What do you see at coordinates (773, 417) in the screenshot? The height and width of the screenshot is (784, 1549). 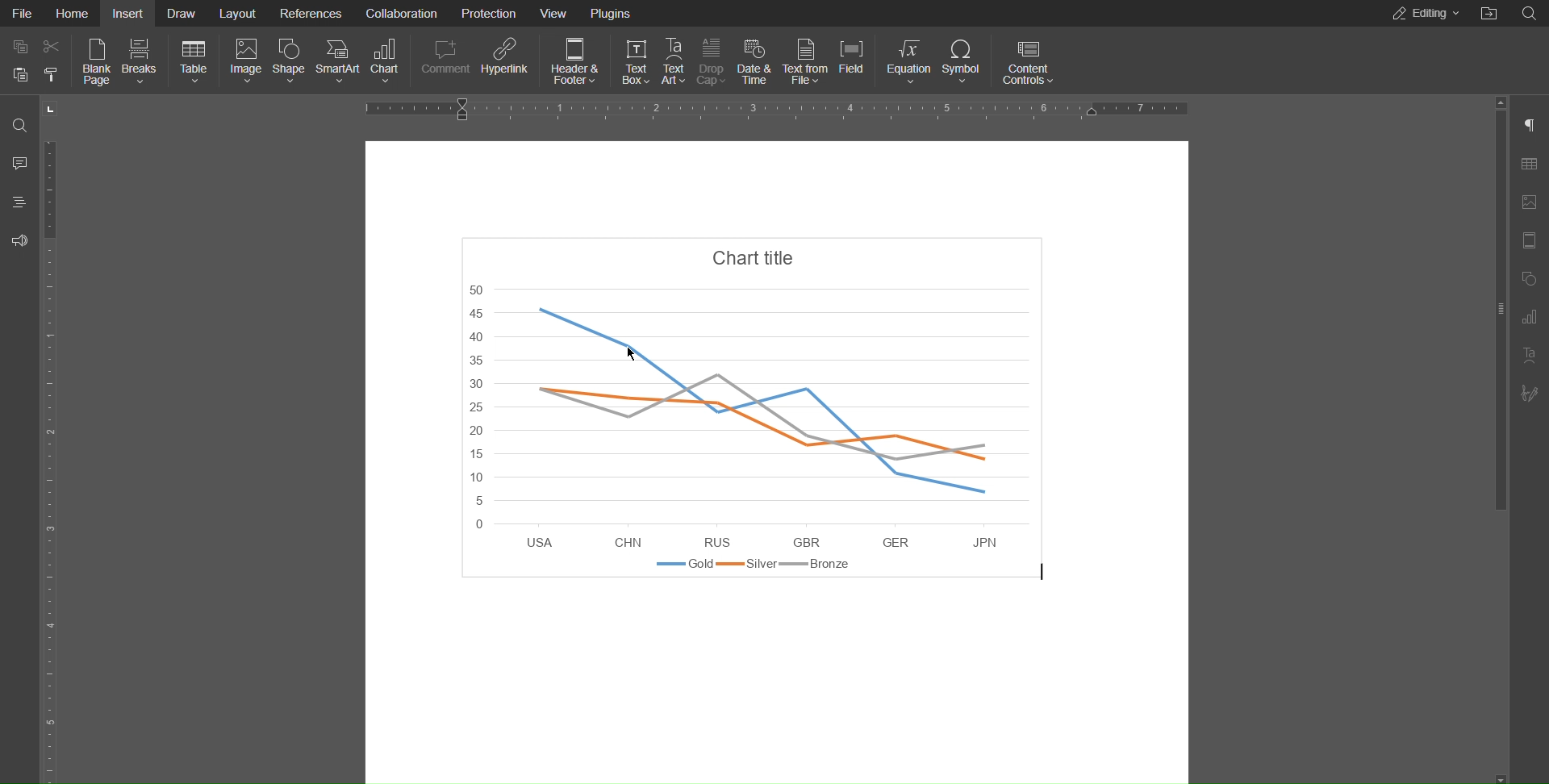 I see `Chart` at bounding box center [773, 417].